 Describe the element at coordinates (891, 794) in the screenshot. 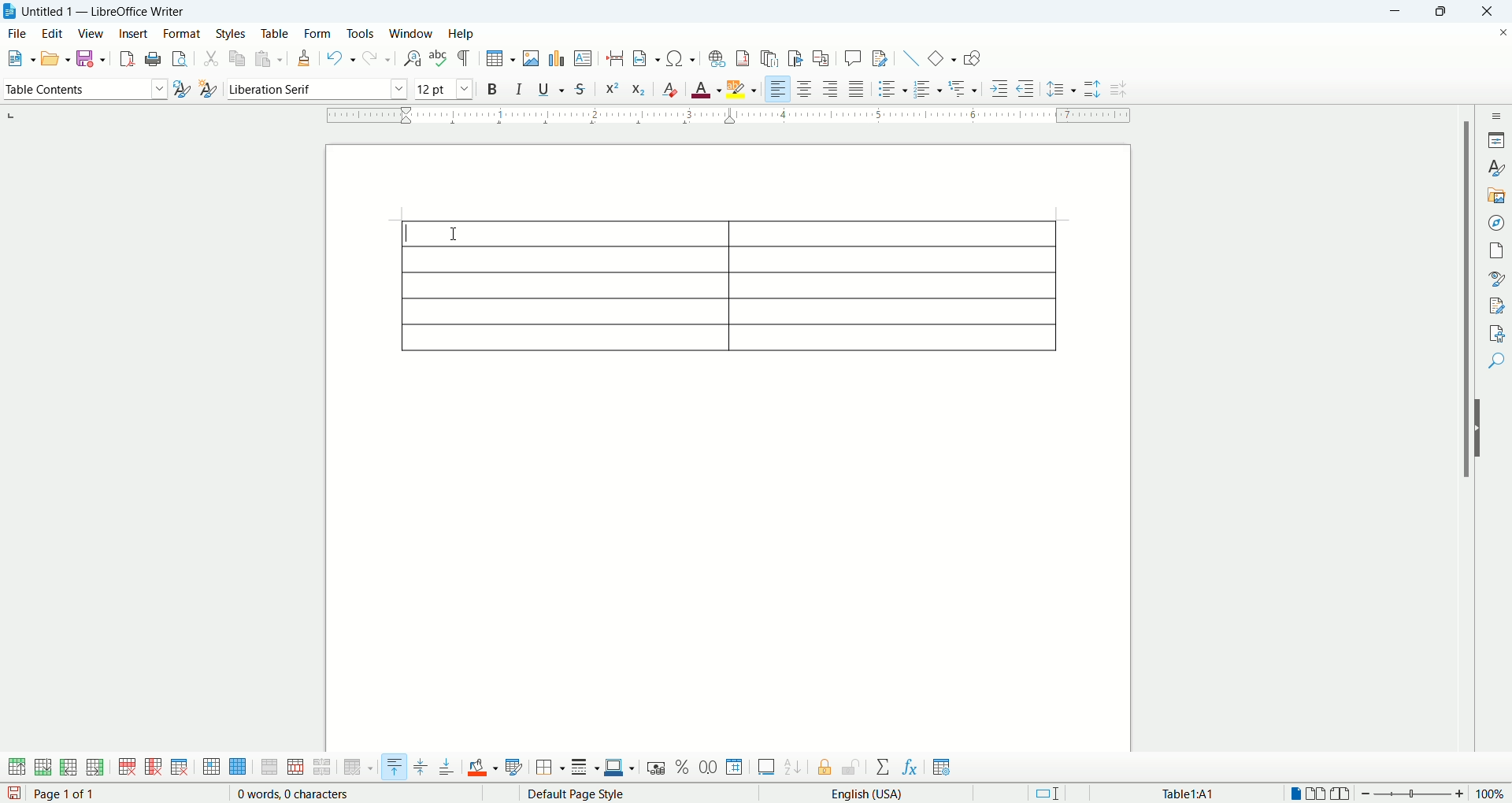

I see `english` at that location.